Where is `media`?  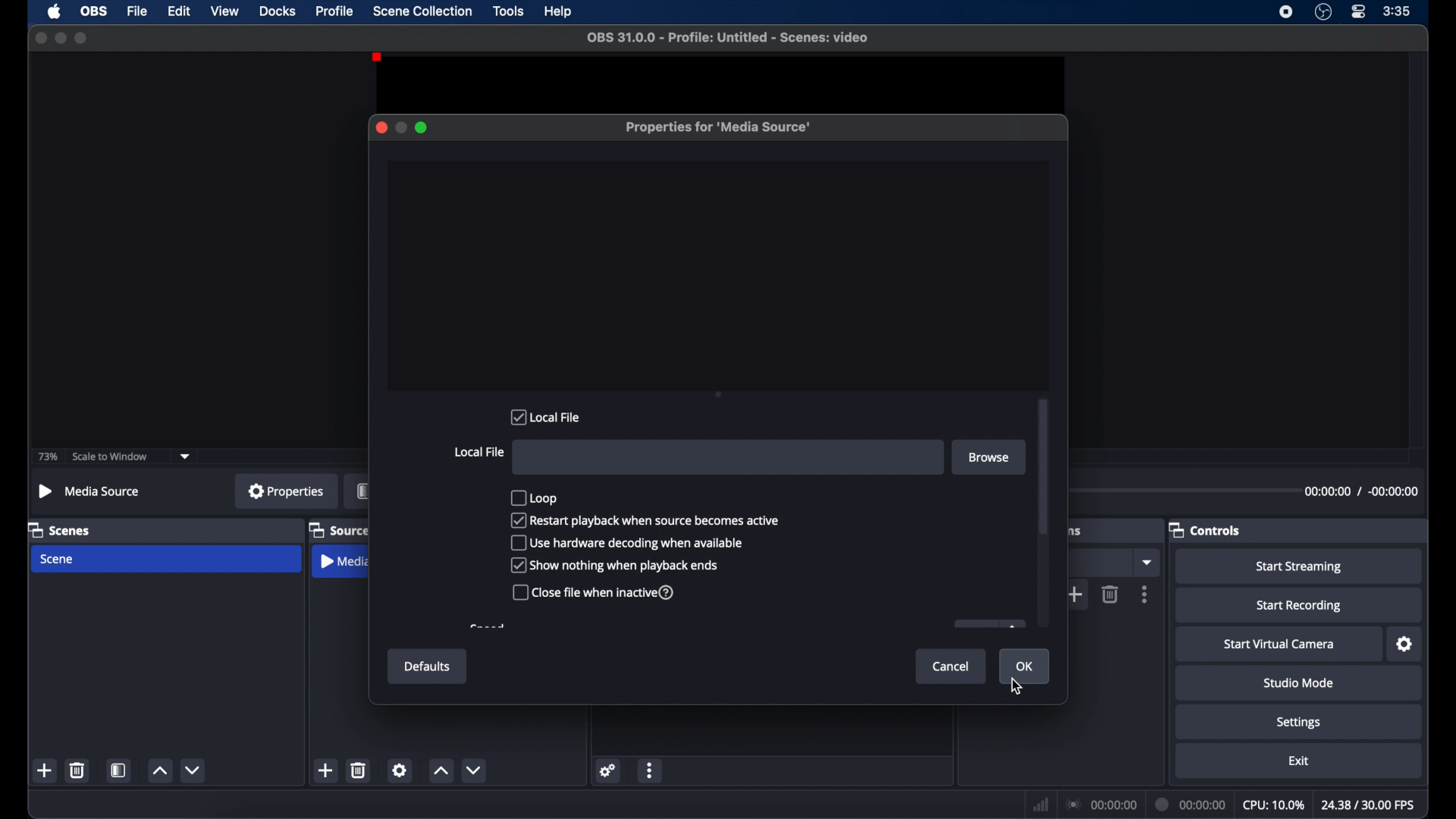
media is located at coordinates (338, 560).